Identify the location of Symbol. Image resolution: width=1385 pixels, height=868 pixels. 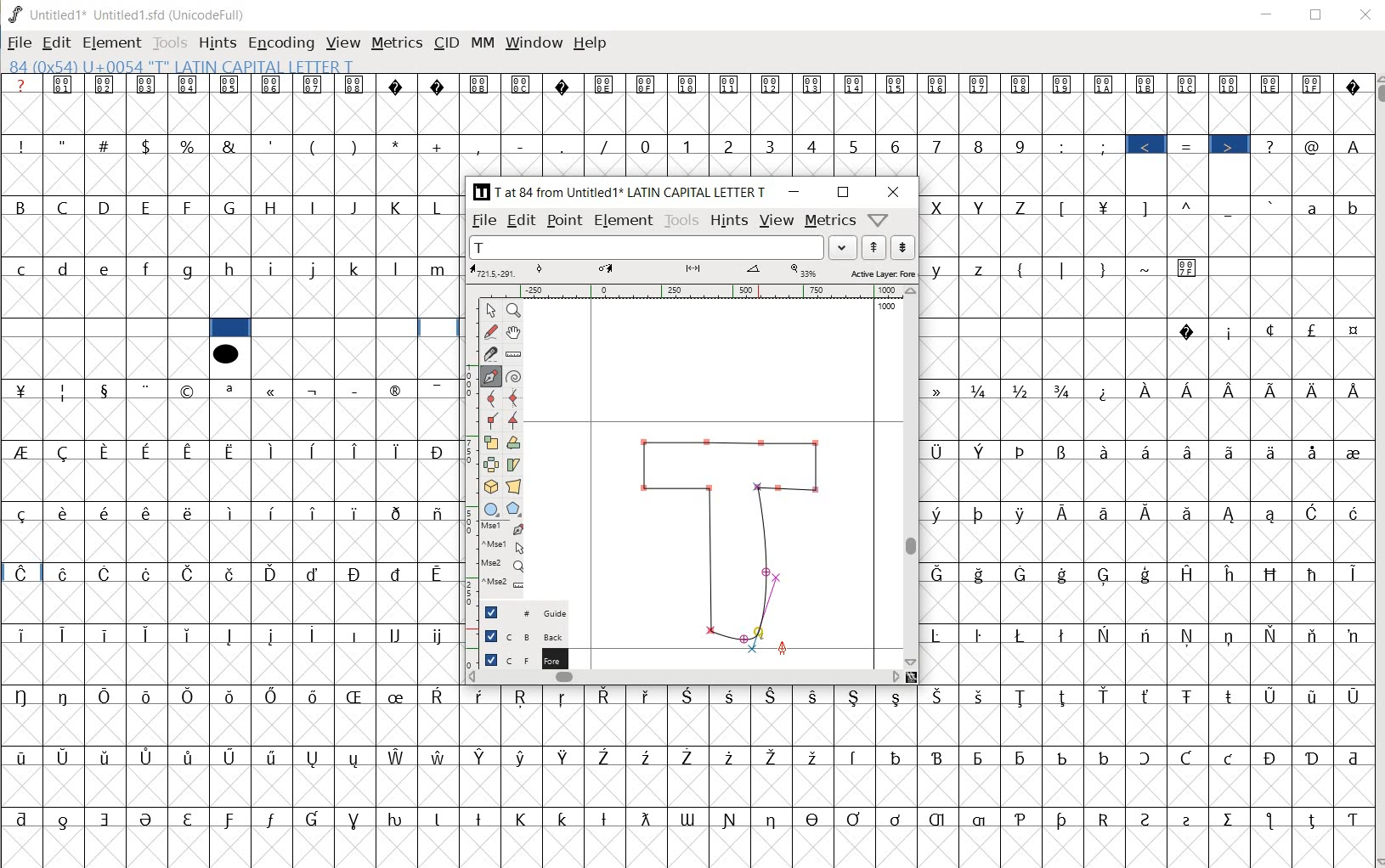
(938, 86).